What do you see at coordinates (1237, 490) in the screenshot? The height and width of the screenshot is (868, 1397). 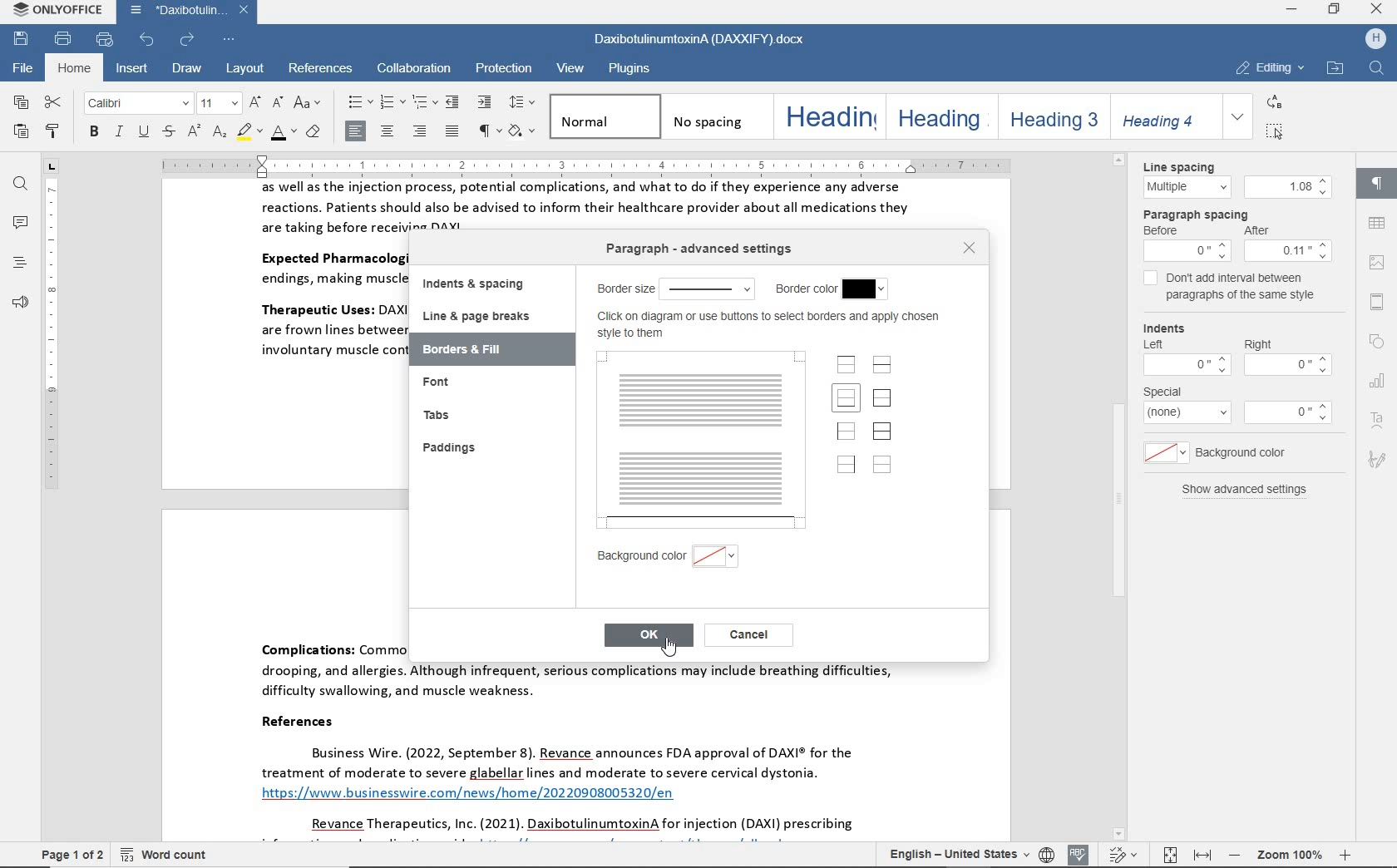 I see `show advanced settings` at bounding box center [1237, 490].